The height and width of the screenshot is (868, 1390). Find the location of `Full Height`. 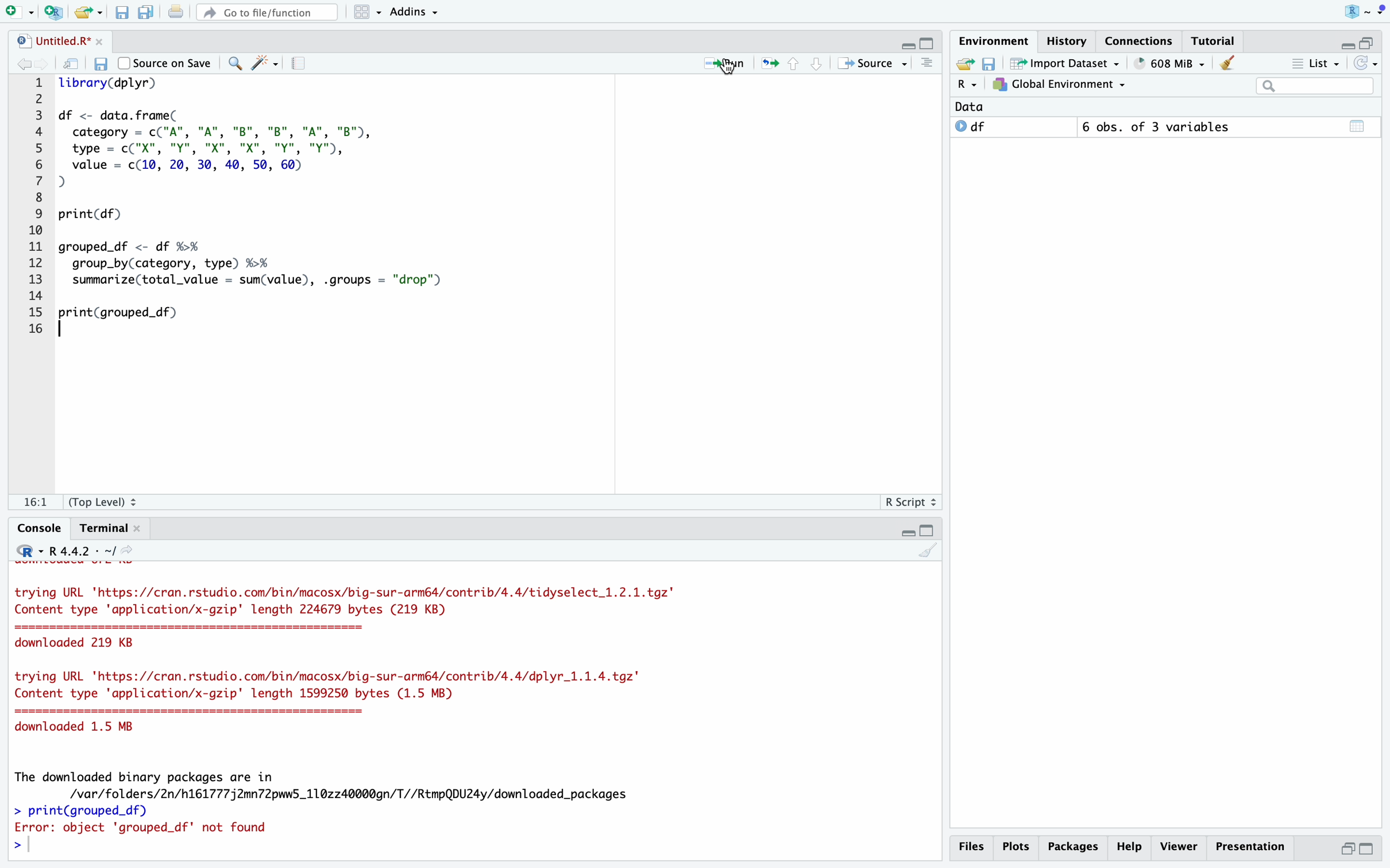

Full Height is located at coordinates (1368, 850).